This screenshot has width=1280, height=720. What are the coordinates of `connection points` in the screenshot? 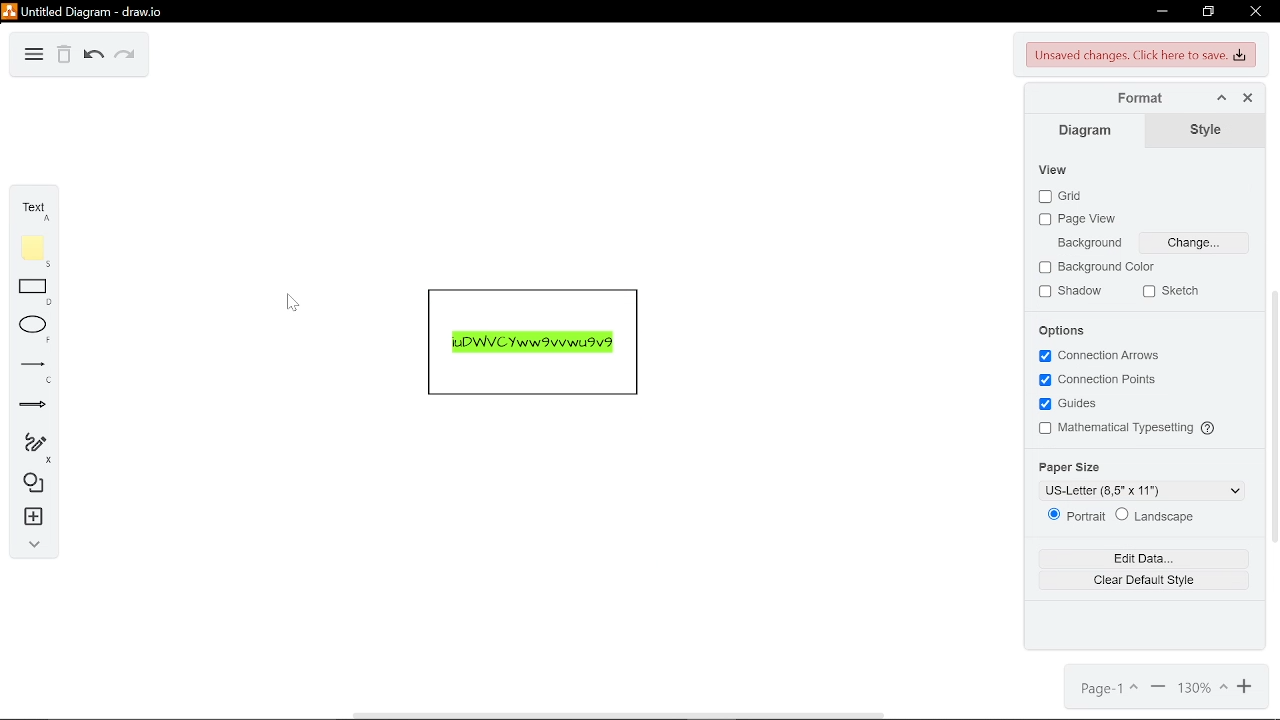 It's located at (1102, 381).